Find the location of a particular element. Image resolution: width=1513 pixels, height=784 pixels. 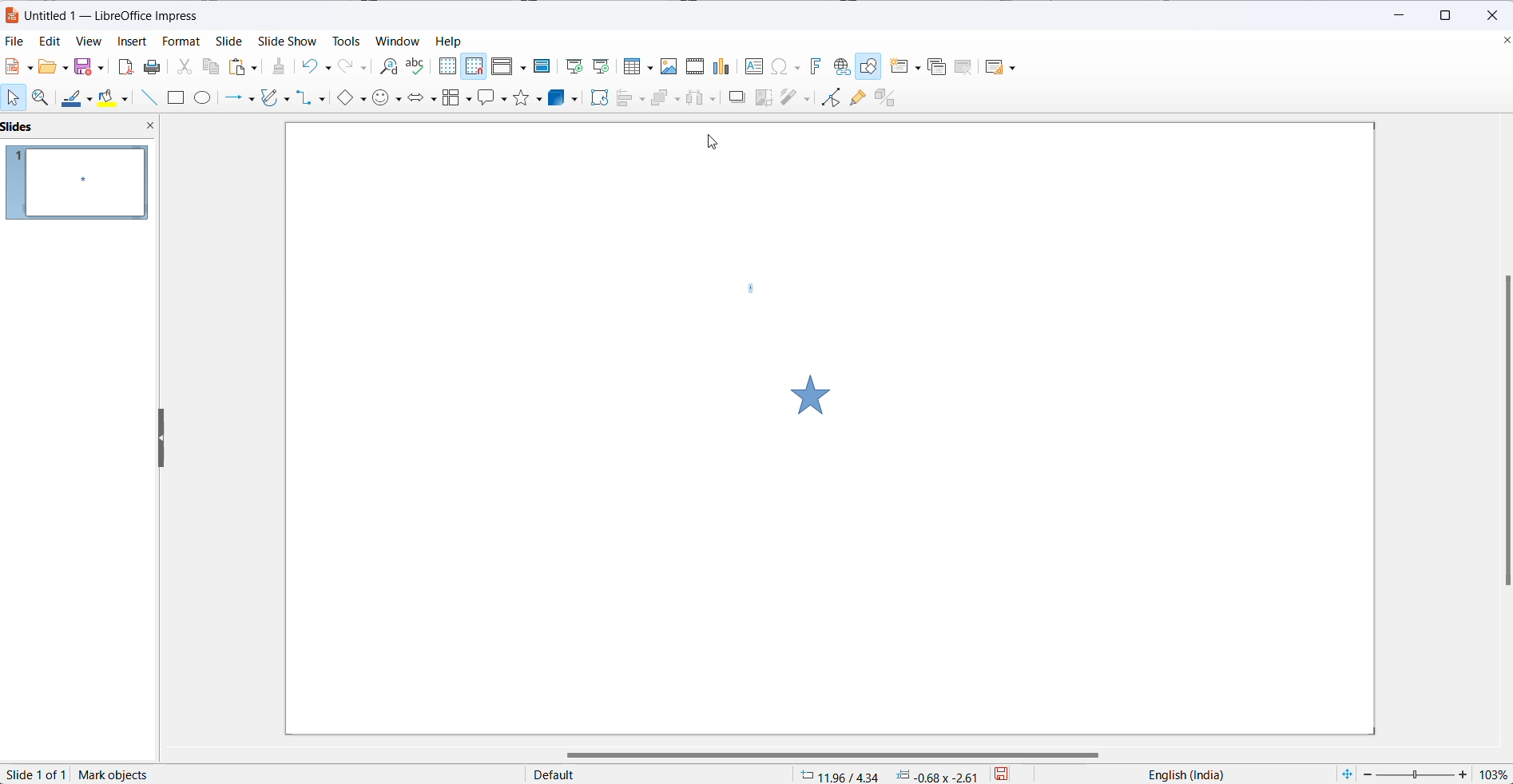

mark objects is located at coordinates (117, 775).